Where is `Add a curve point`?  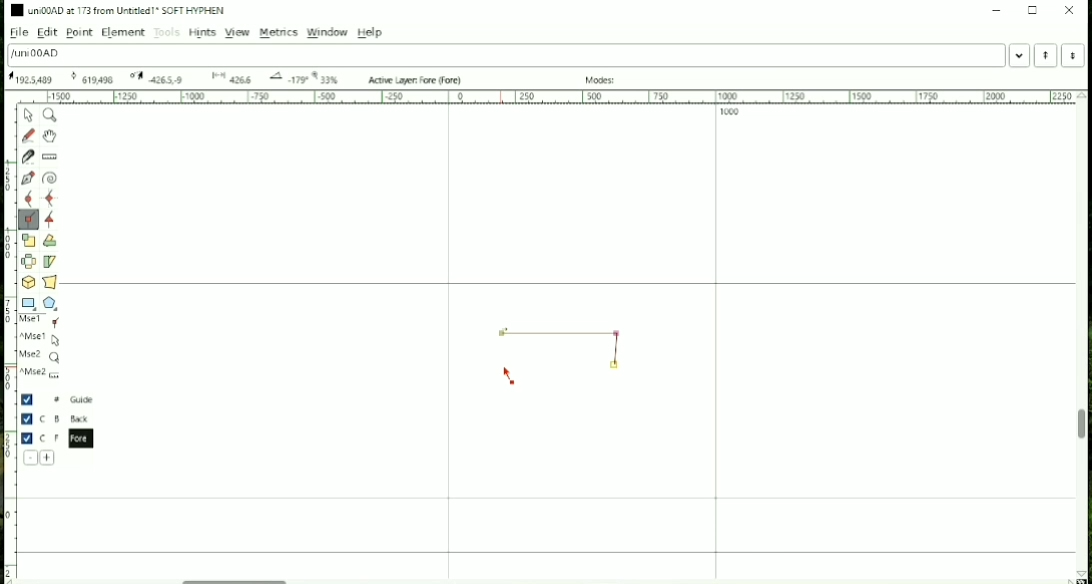
Add a curve point is located at coordinates (28, 198).